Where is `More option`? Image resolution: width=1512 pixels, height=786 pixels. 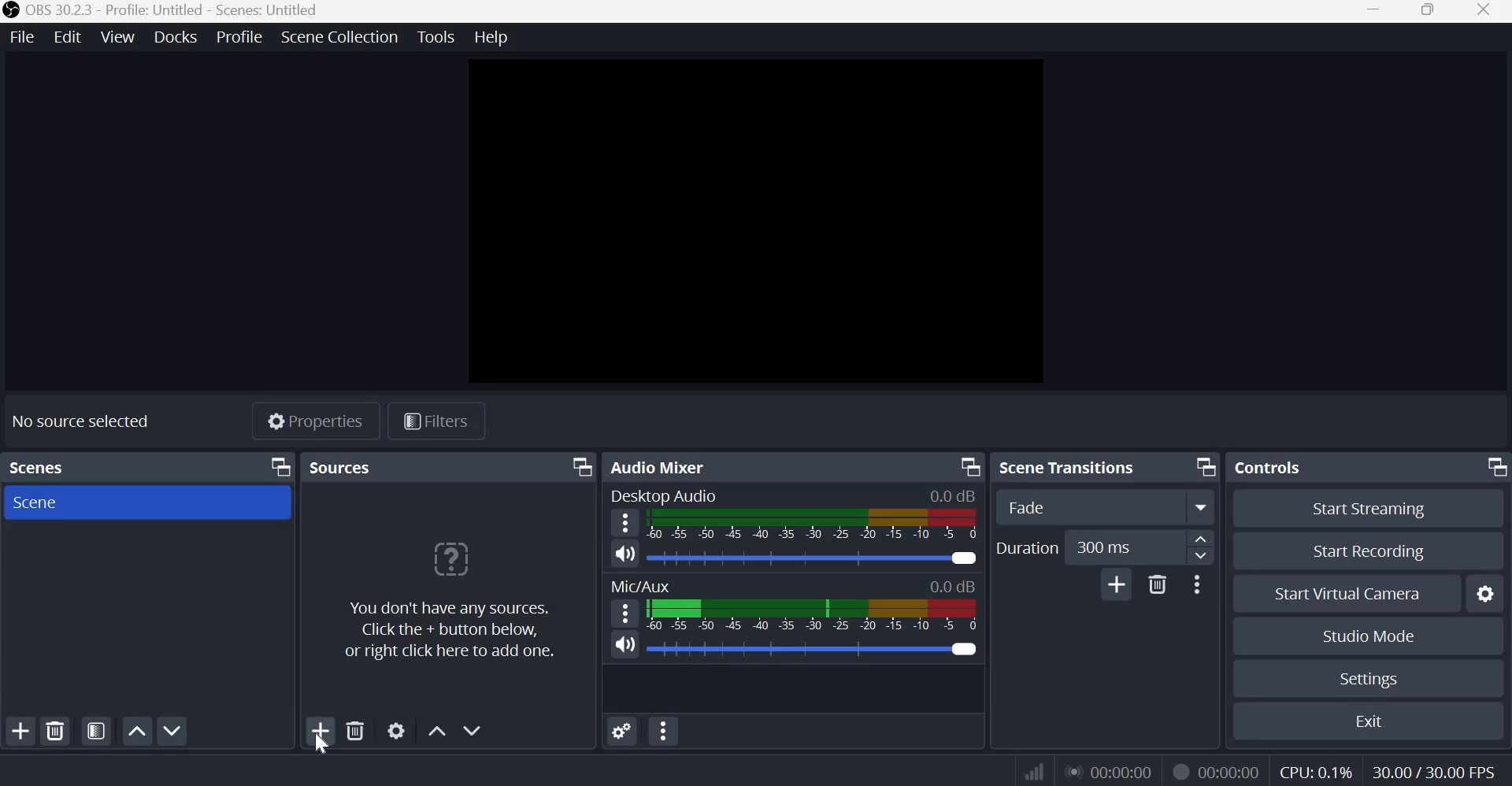 More option is located at coordinates (1202, 507).